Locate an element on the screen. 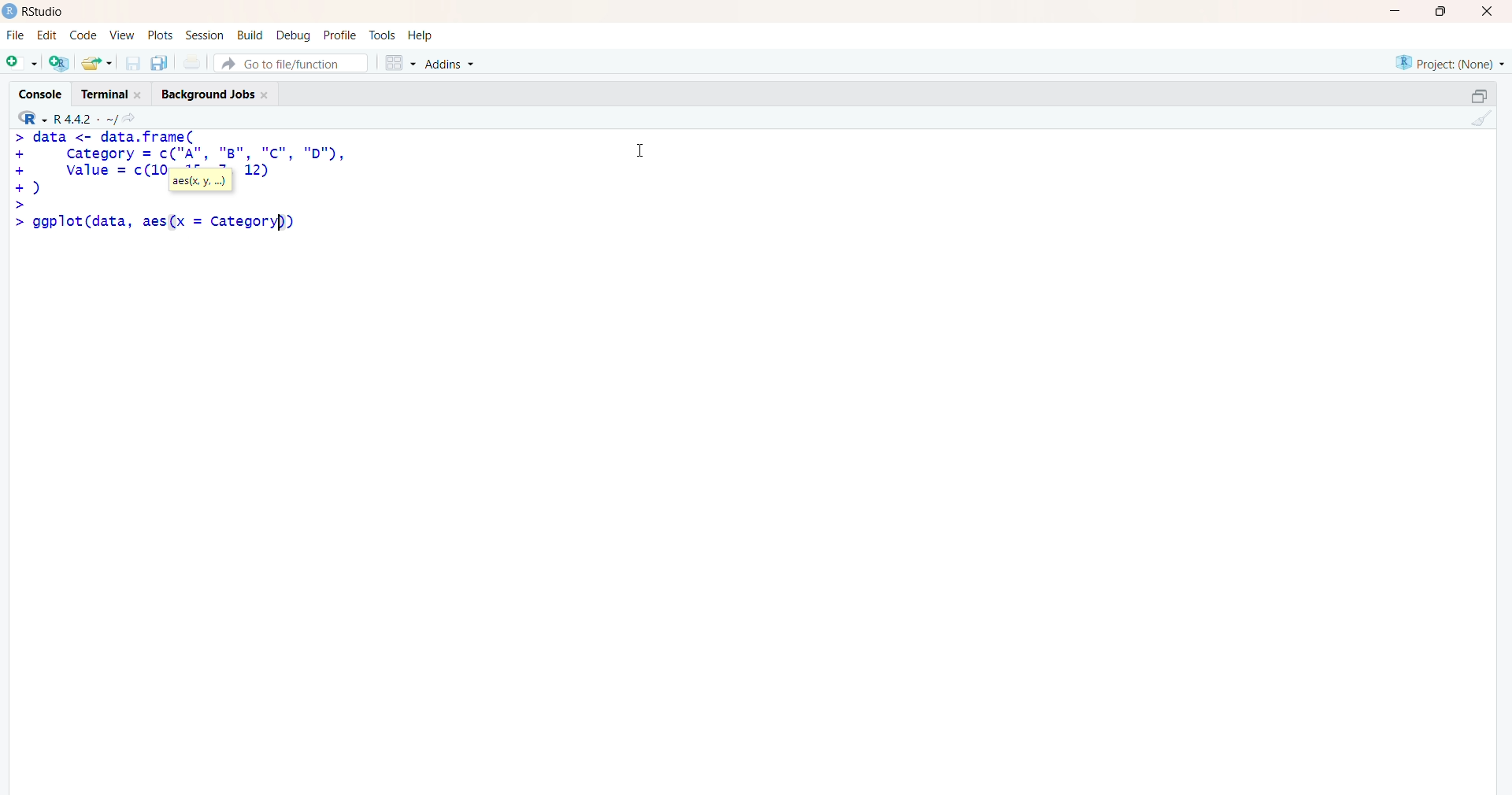  open an existing file is located at coordinates (96, 62).